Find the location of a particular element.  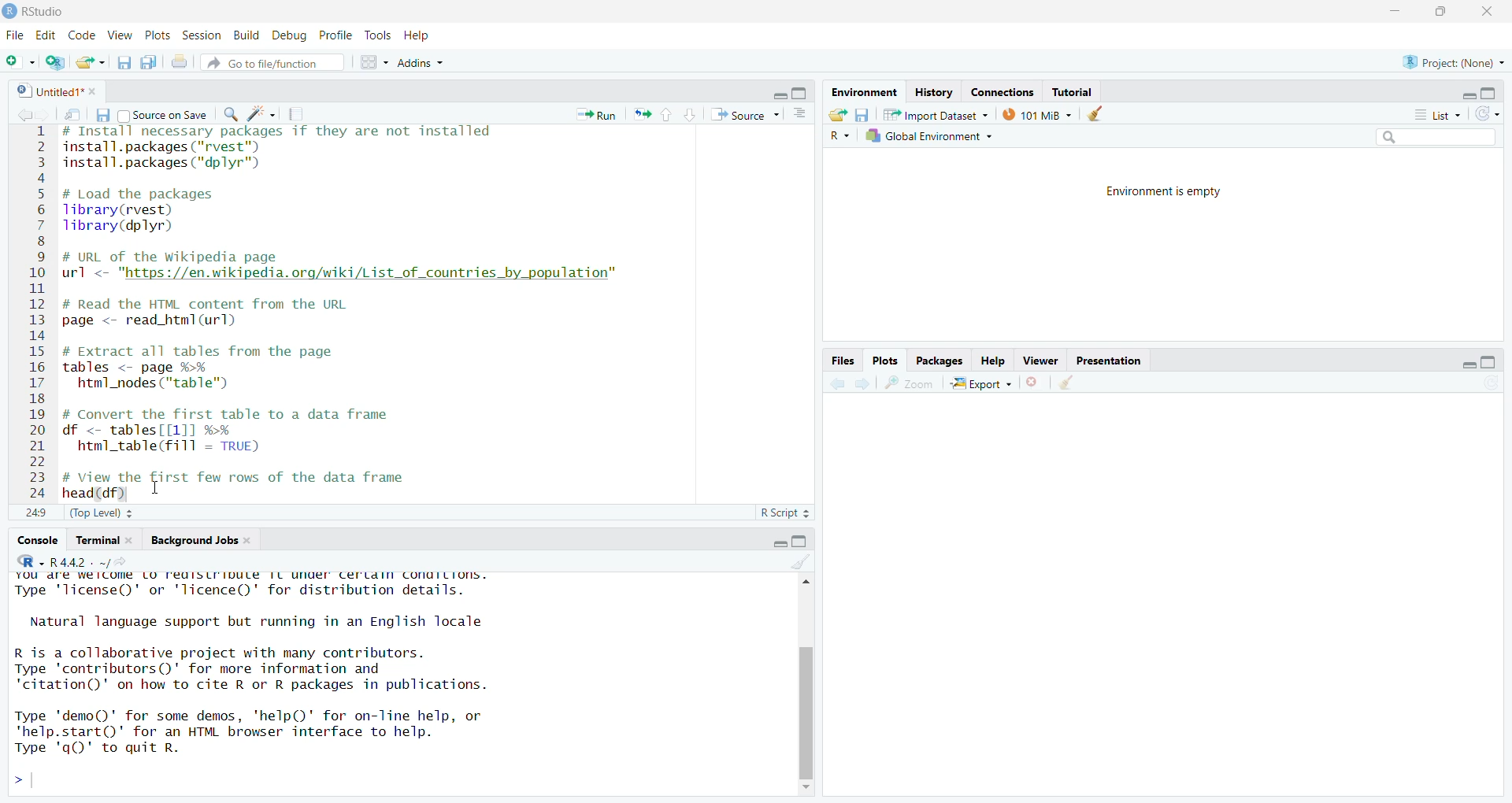

open file is located at coordinates (93, 62).